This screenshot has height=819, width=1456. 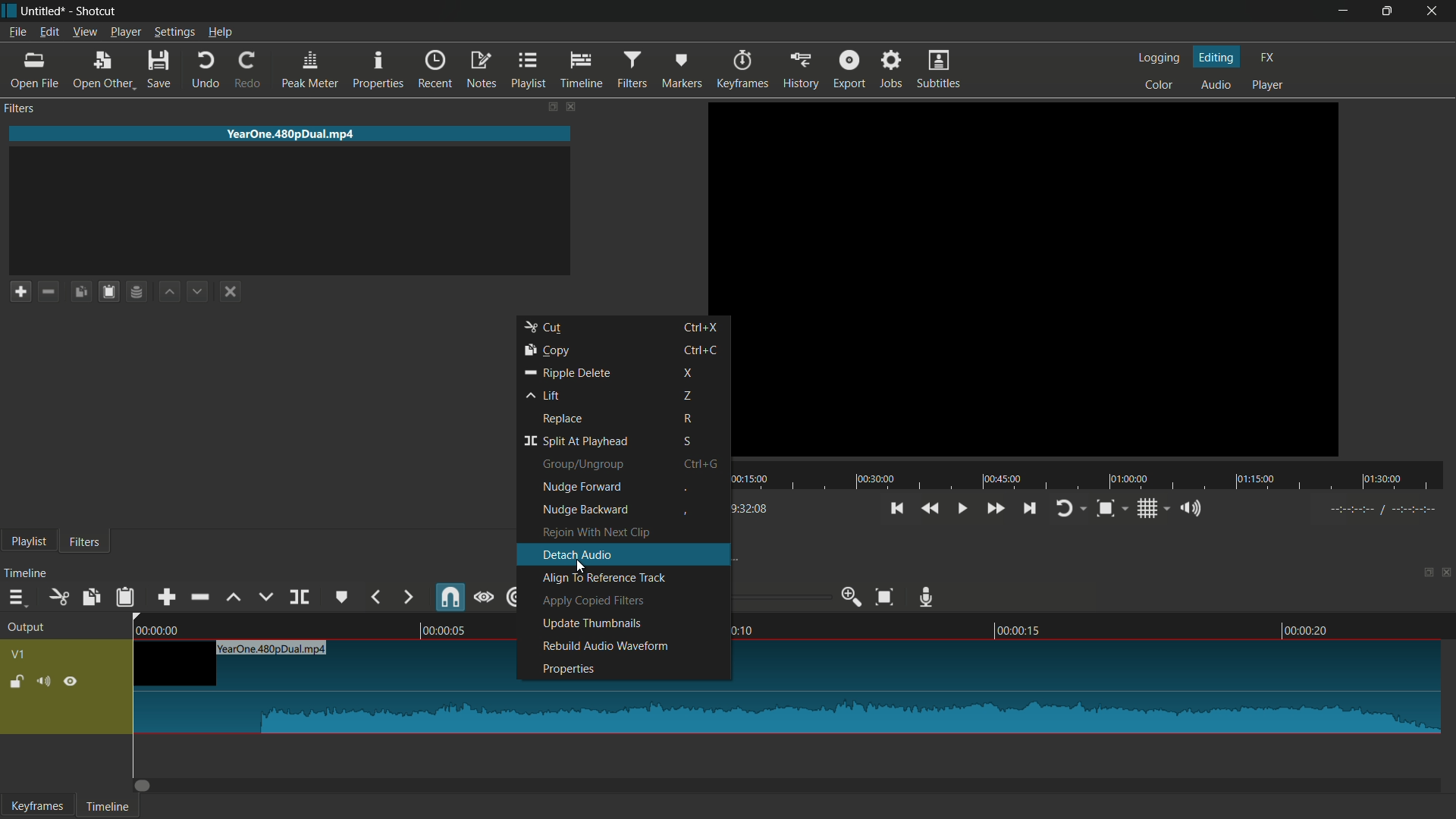 I want to click on skip to the next point, so click(x=1031, y=509).